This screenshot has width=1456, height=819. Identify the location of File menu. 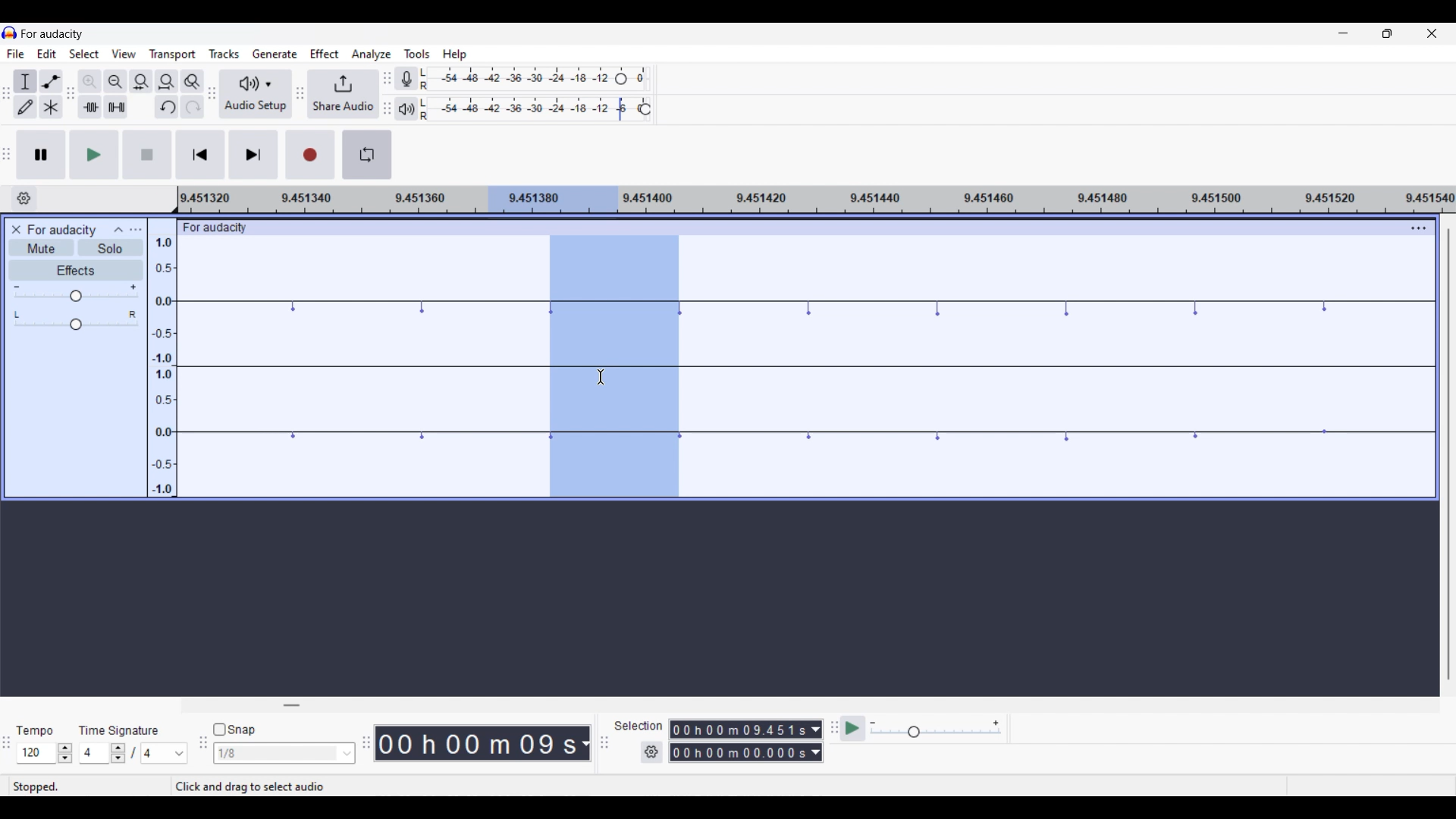
(16, 54).